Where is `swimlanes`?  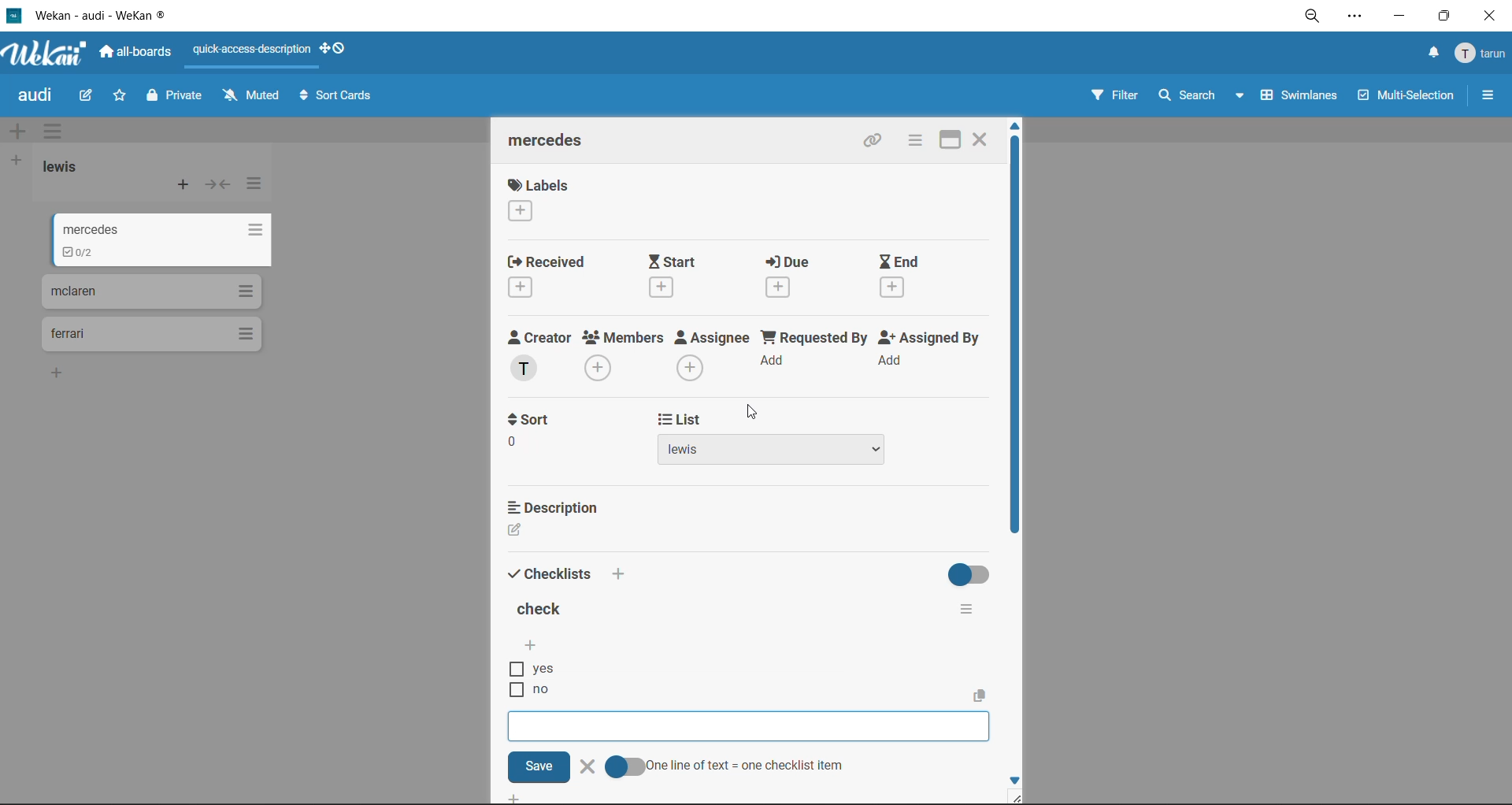
swimlanes is located at coordinates (1302, 98).